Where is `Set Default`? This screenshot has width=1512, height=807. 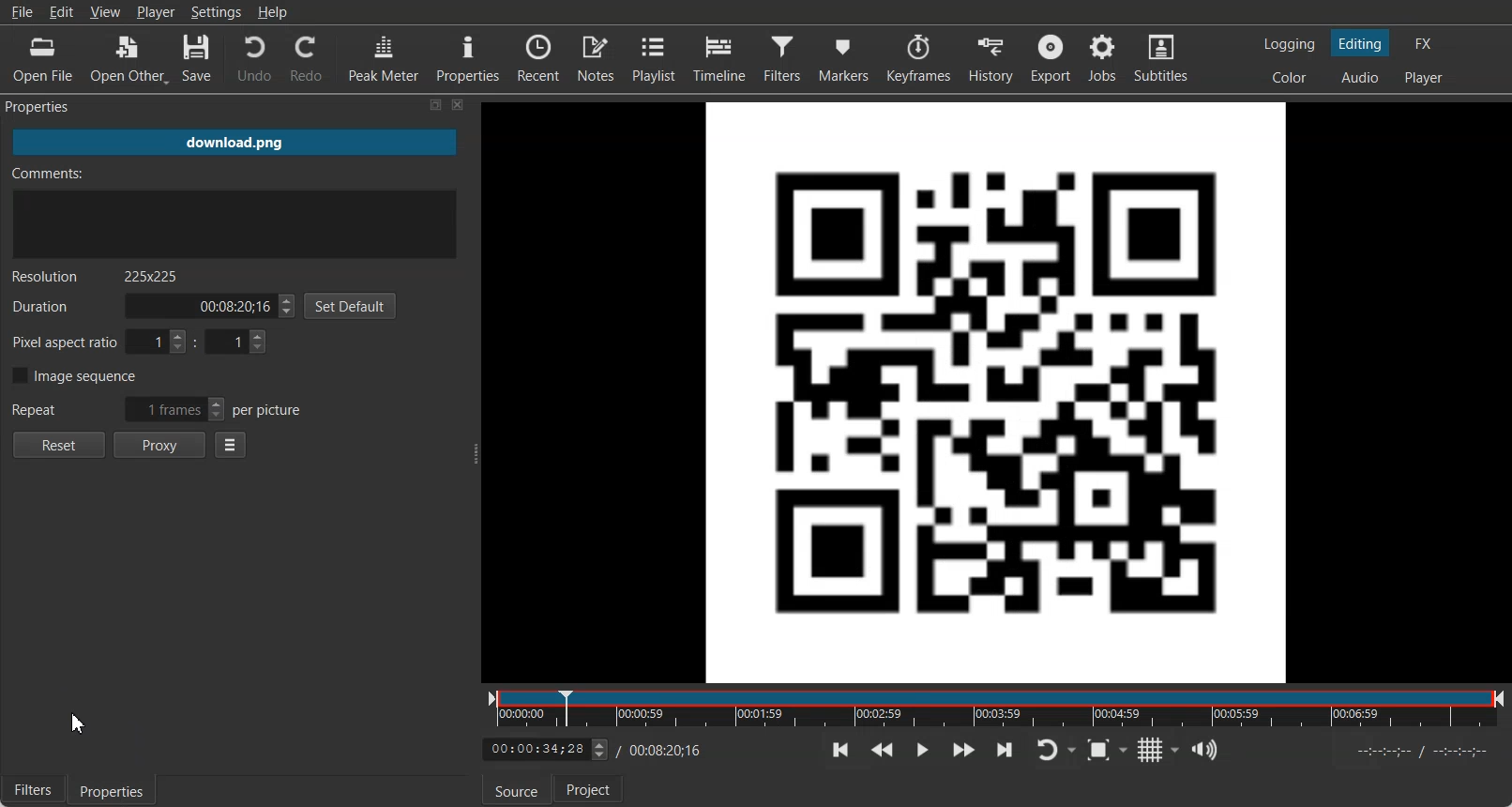
Set Default is located at coordinates (353, 307).